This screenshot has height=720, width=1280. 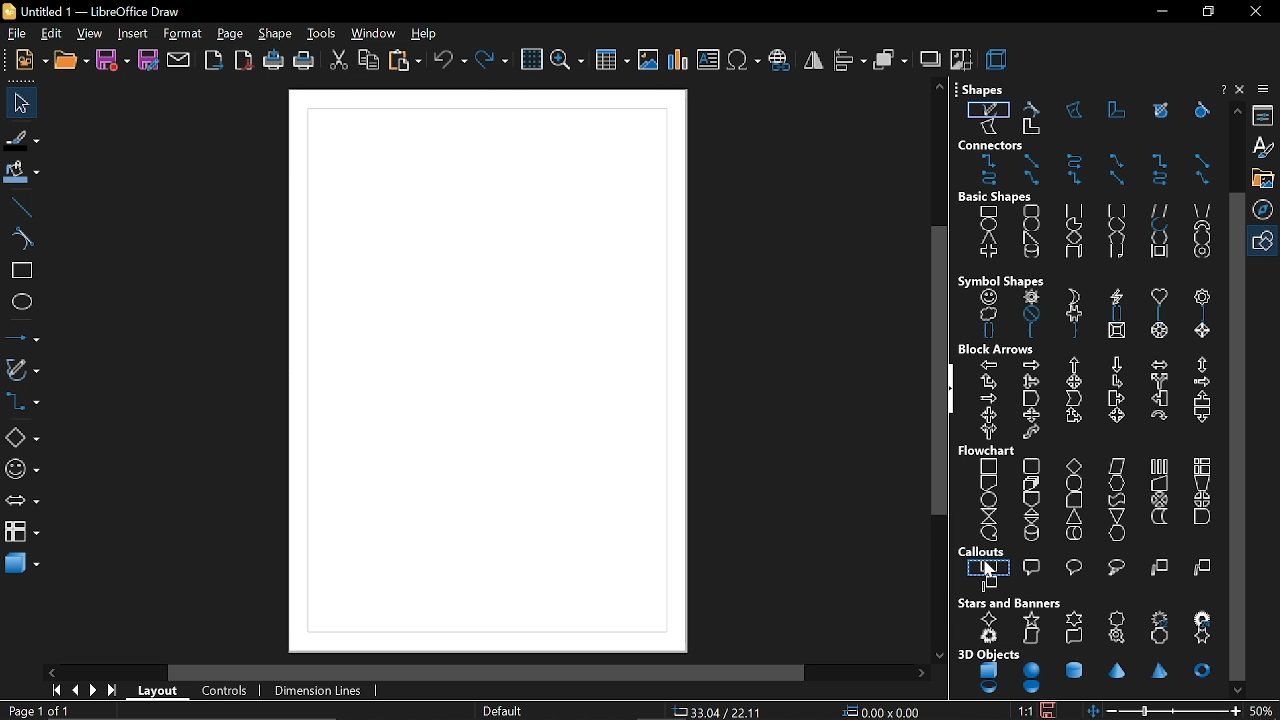 What do you see at coordinates (986, 432) in the screenshot?
I see `right or left arrow` at bounding box center [986, 432].